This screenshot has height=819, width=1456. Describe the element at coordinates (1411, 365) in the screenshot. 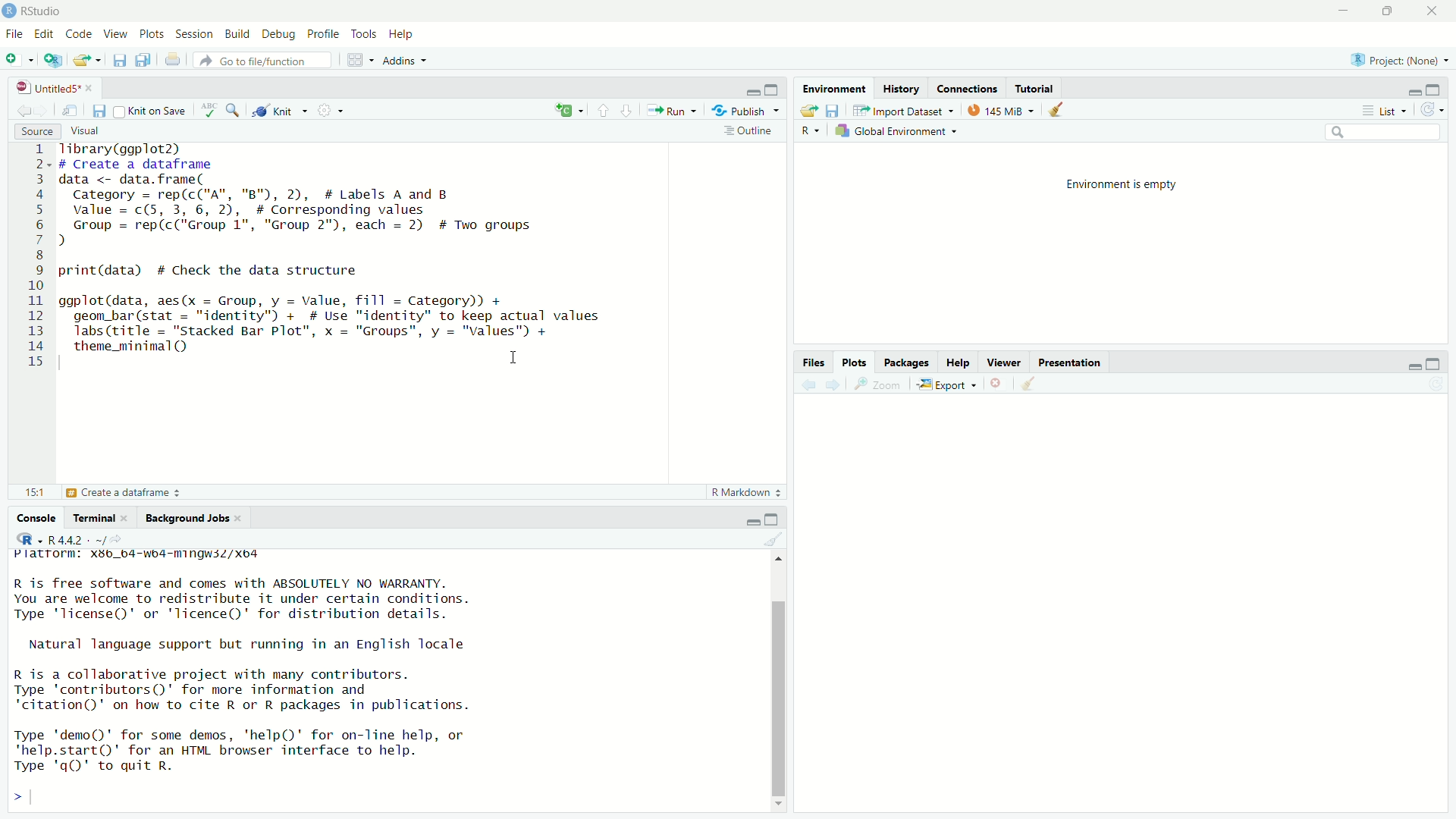

I see `Minimize` at that location.